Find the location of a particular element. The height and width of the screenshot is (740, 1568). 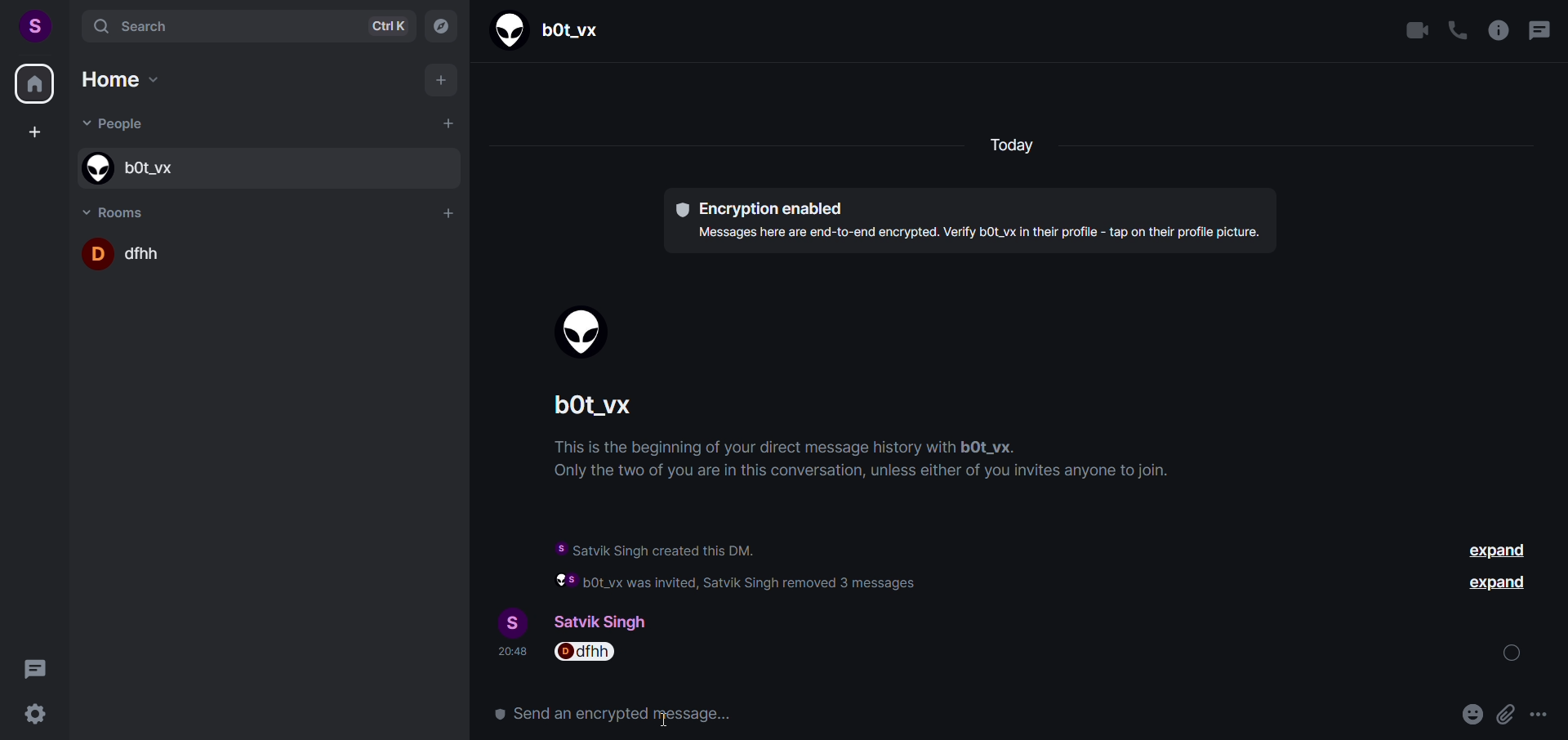

call is located at coordinates (1456, 32).